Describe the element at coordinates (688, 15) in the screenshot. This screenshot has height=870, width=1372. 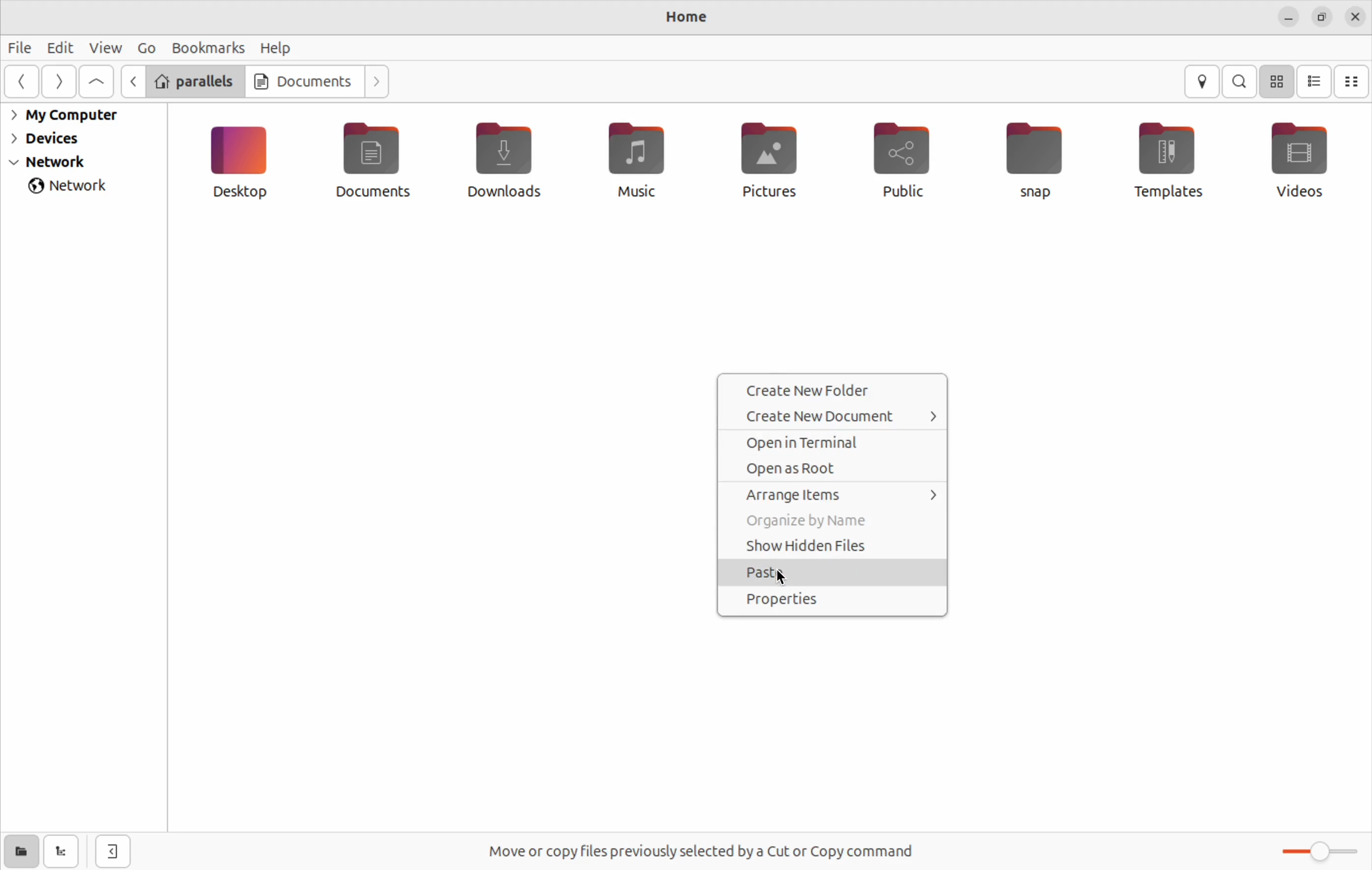
I see `home` at that location.